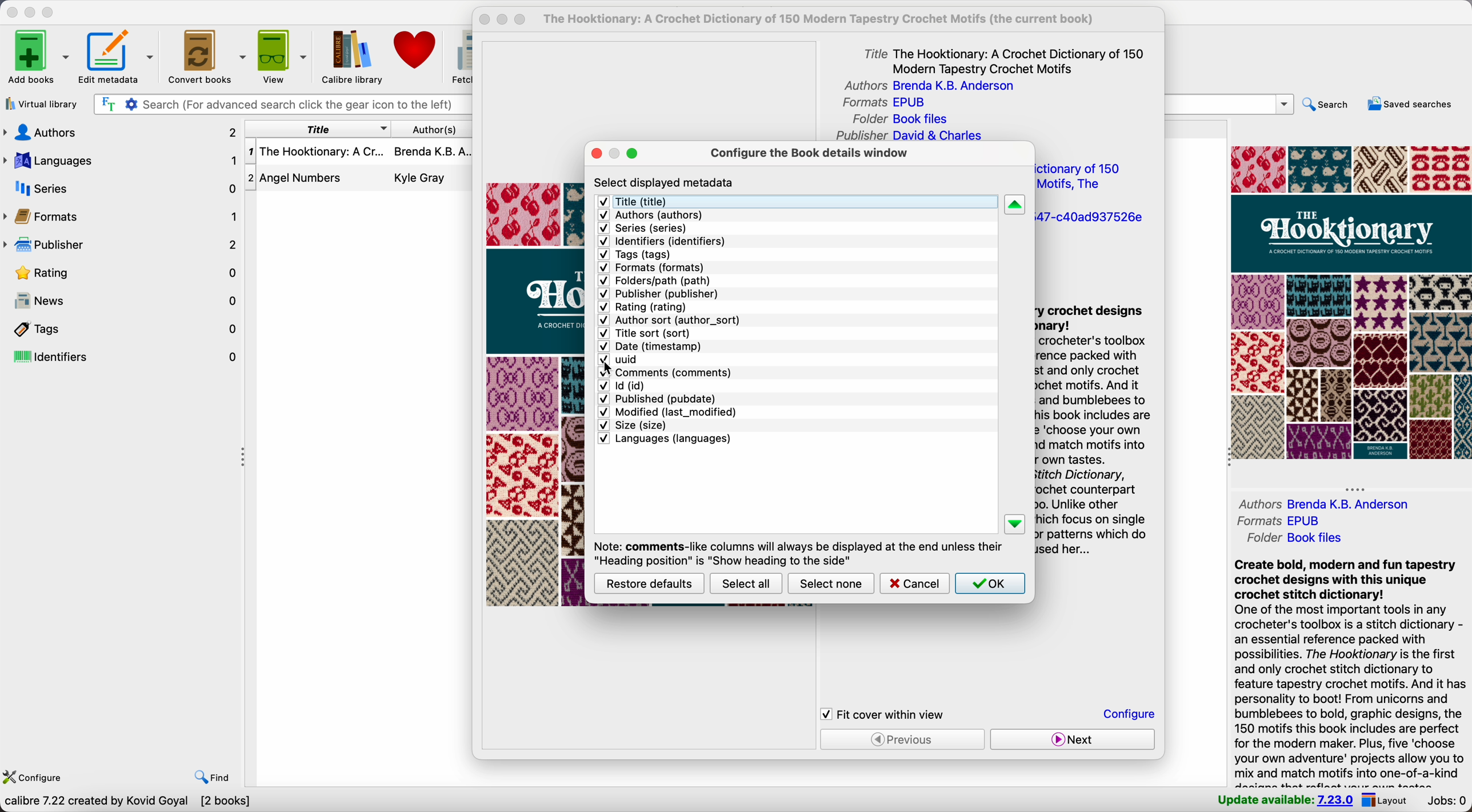 The width and height of the screenshot is (1472, 812). I want to click on close popup, so click(597, 154).